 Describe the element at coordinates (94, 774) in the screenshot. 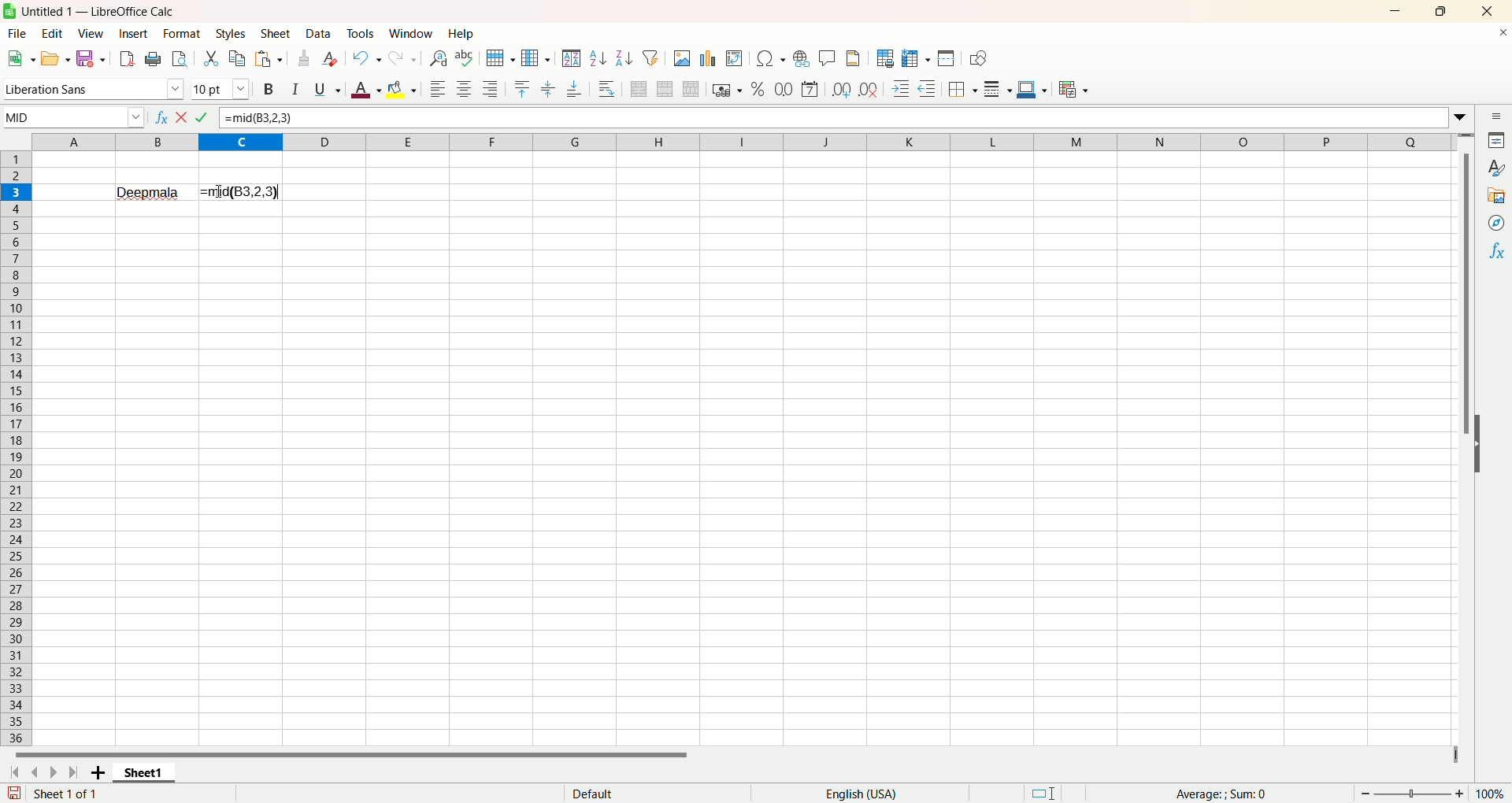

I see `new sheet` at that location.